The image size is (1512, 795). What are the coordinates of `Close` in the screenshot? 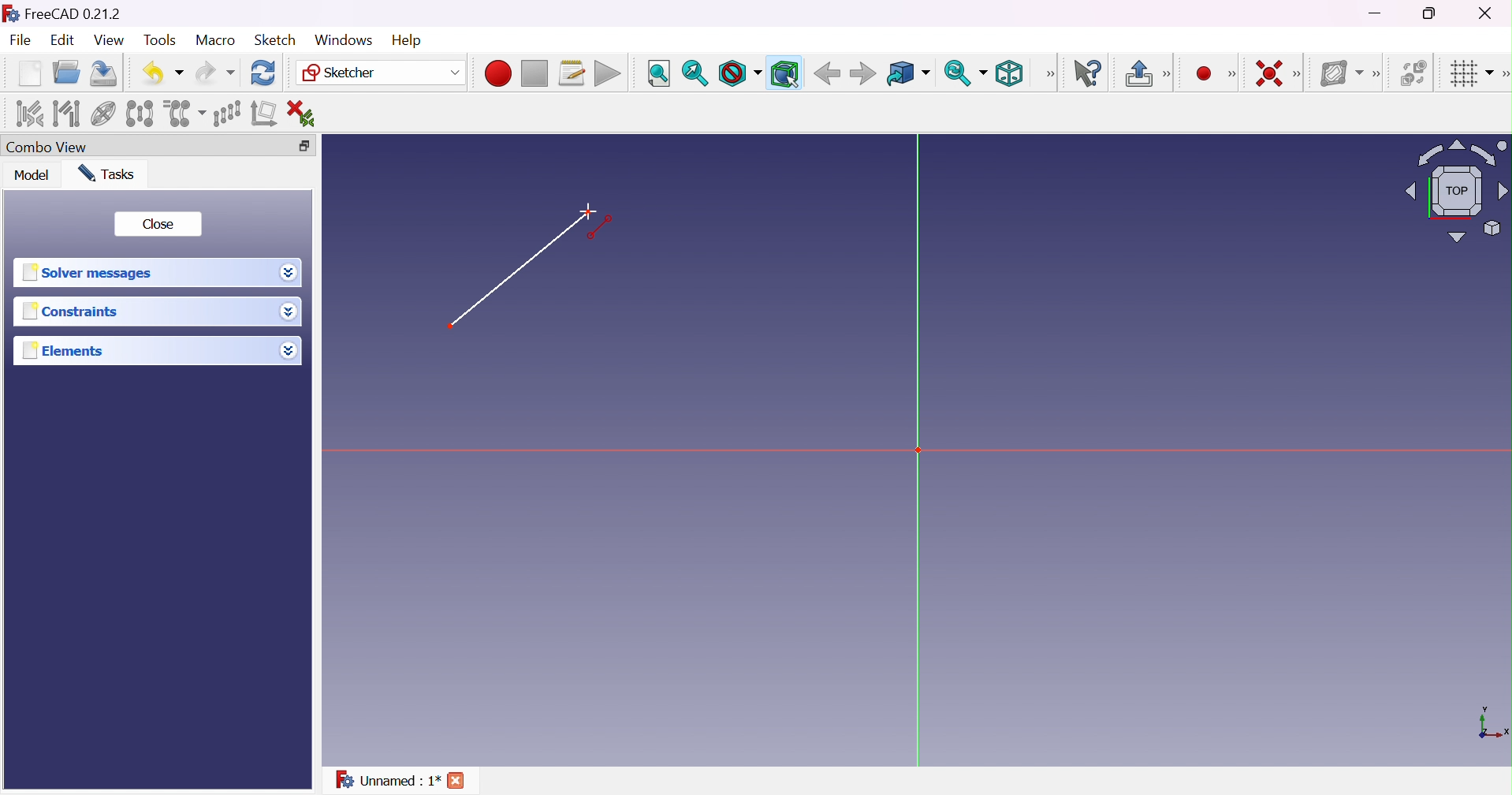 It's located at (160, 225).